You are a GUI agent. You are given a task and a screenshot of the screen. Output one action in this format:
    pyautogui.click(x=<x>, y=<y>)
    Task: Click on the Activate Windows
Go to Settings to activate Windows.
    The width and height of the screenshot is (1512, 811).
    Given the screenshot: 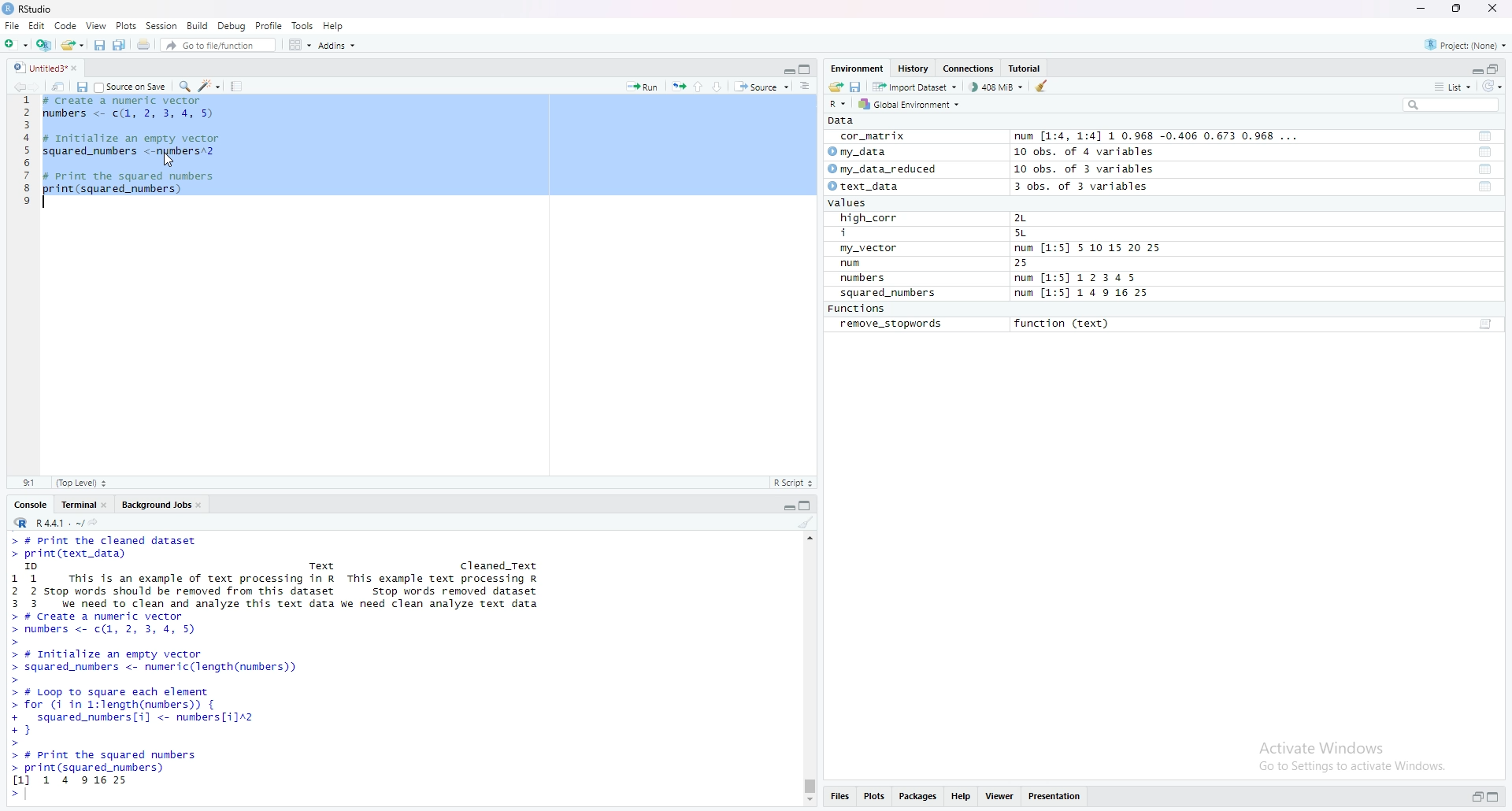 What is the action you would take?
    pyautogui.click(x=1354, y=754)
    